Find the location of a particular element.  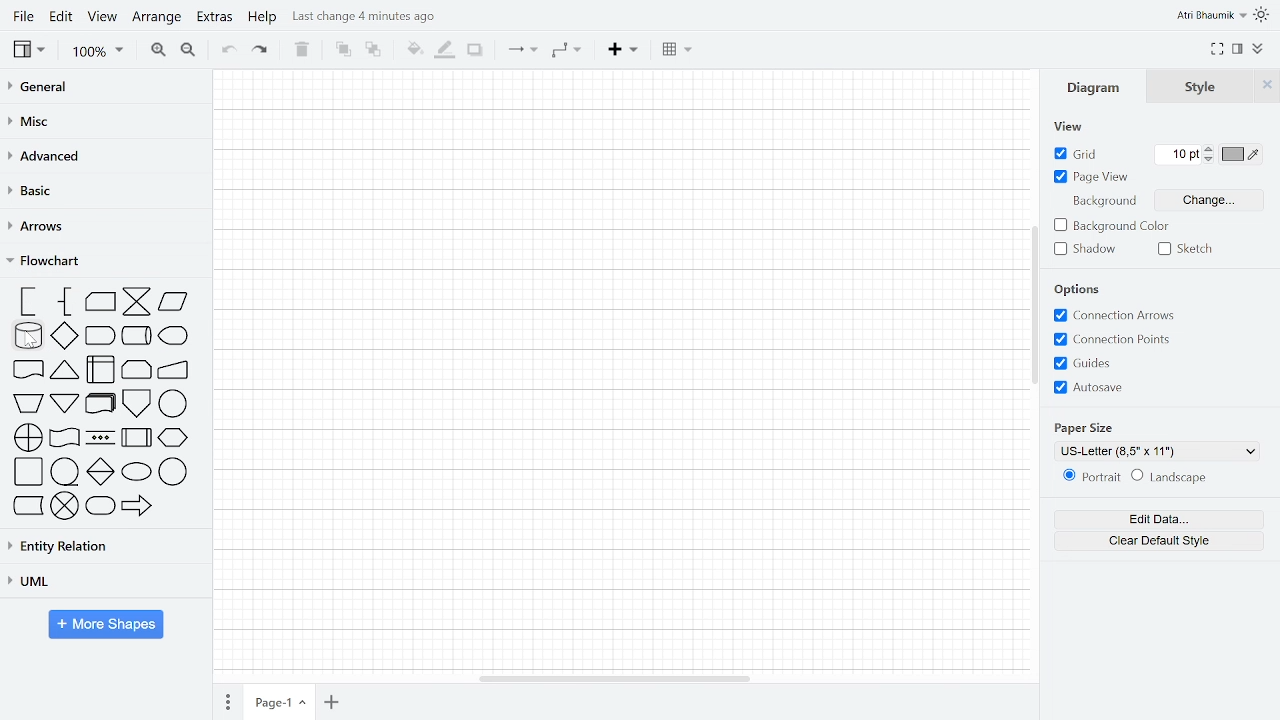

Diagram is located at coordinates (1095, 88).